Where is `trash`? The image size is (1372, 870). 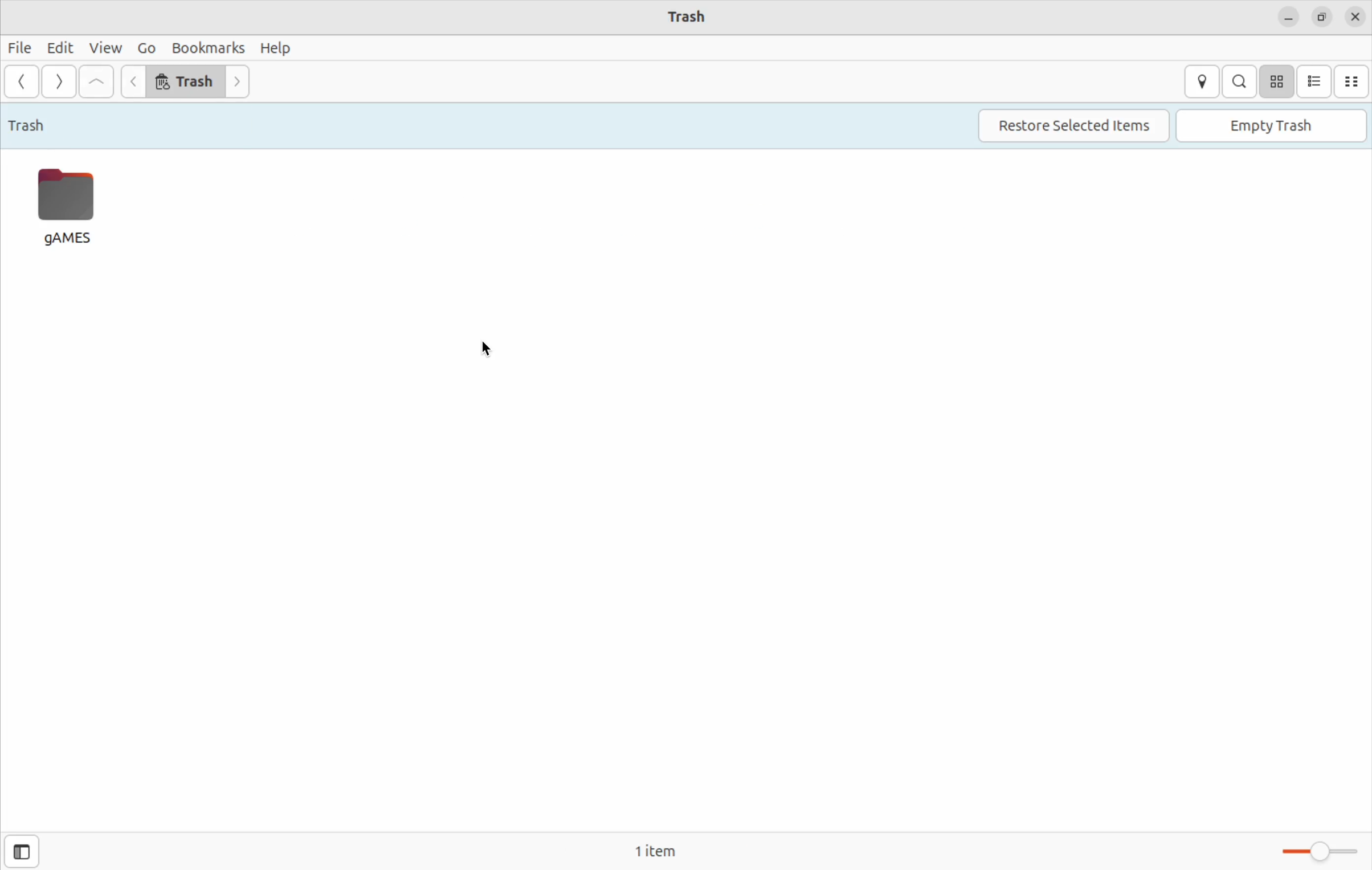 trash is located at coordinates (696, 15).